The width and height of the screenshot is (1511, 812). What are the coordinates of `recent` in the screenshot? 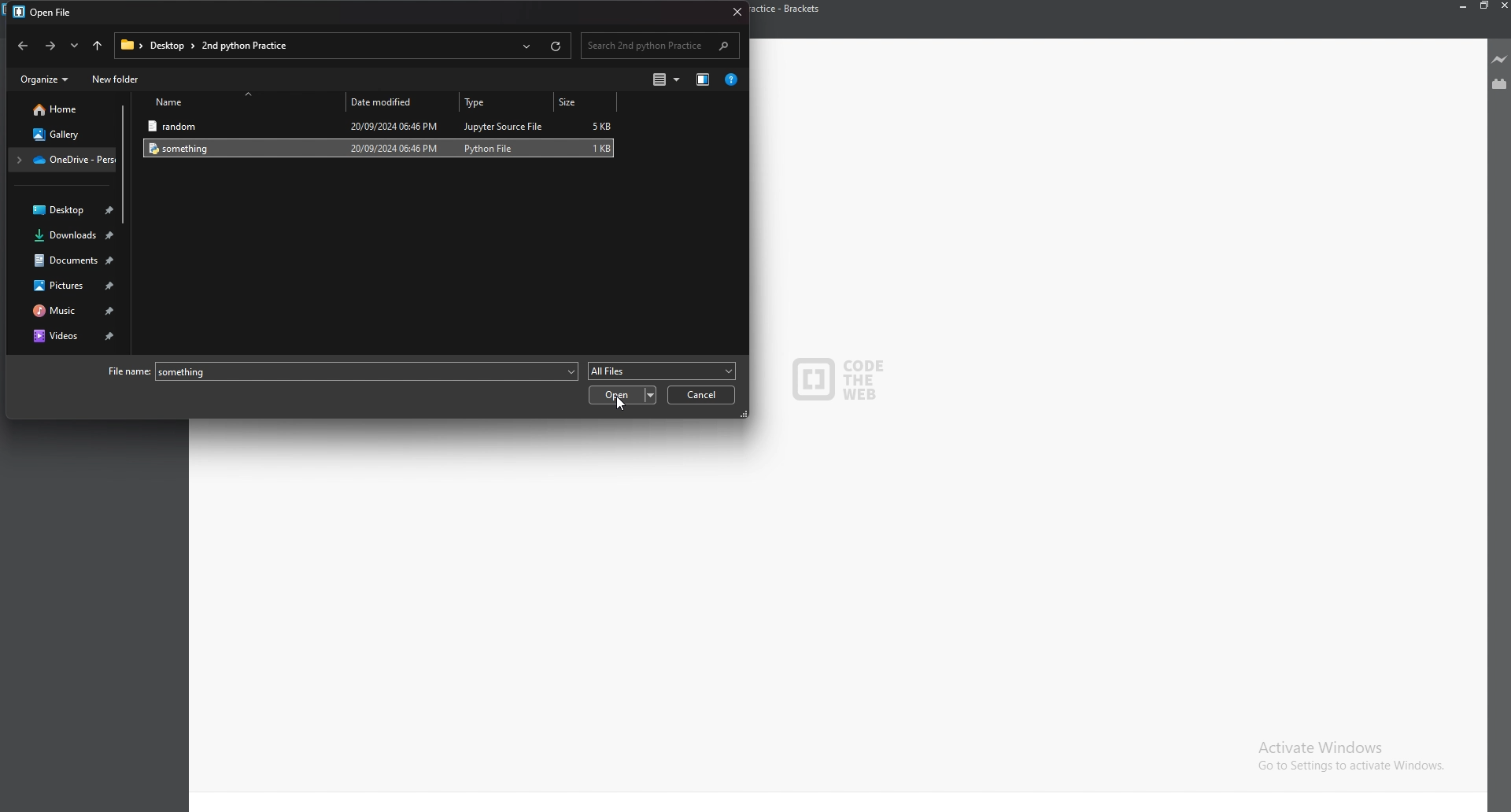 It's located at (525, 46).